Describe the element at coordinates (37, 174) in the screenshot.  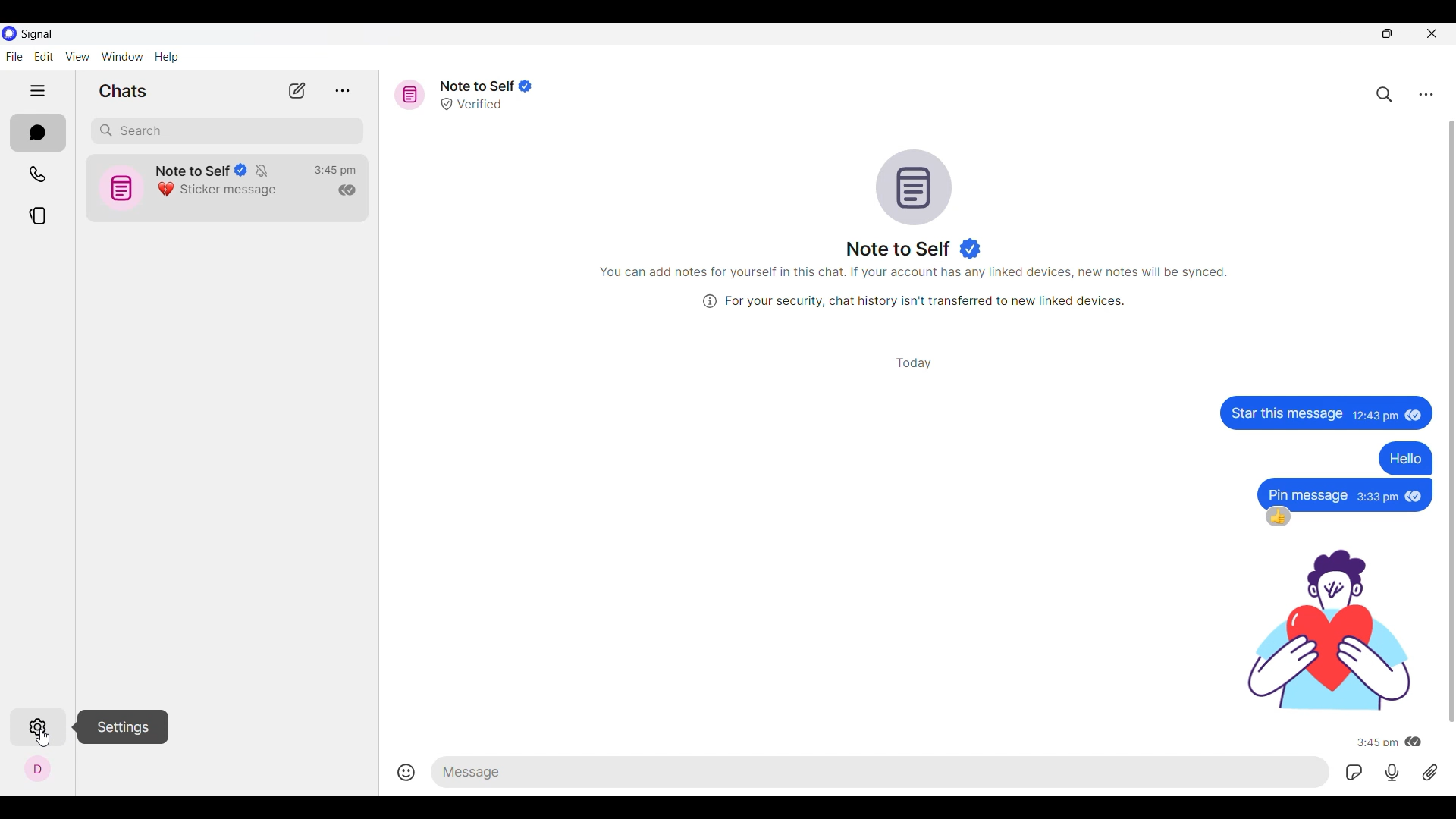
I see `Calls` at that location.